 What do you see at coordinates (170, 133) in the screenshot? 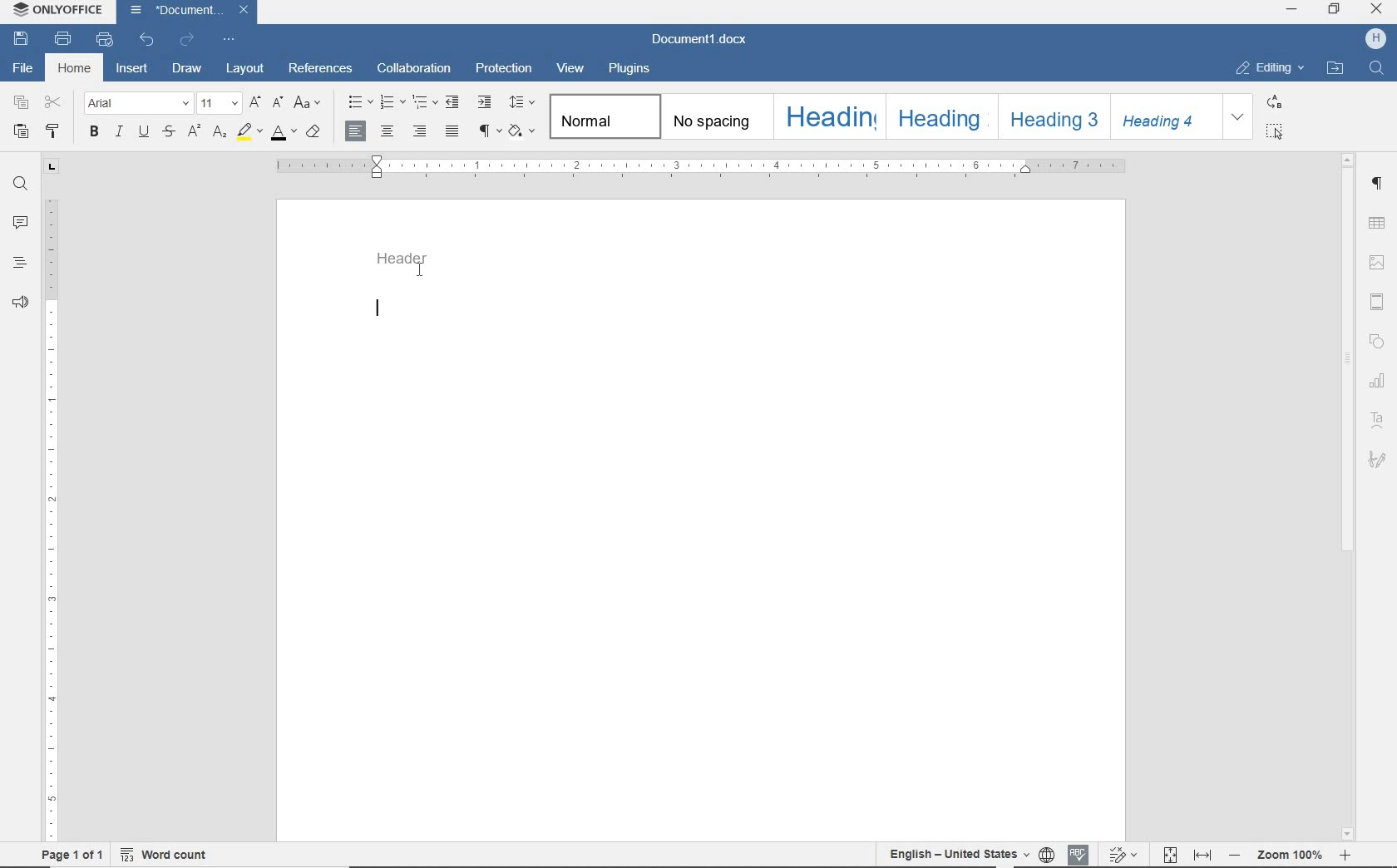
I see `strikethrough` at bounding box center [170, 133].